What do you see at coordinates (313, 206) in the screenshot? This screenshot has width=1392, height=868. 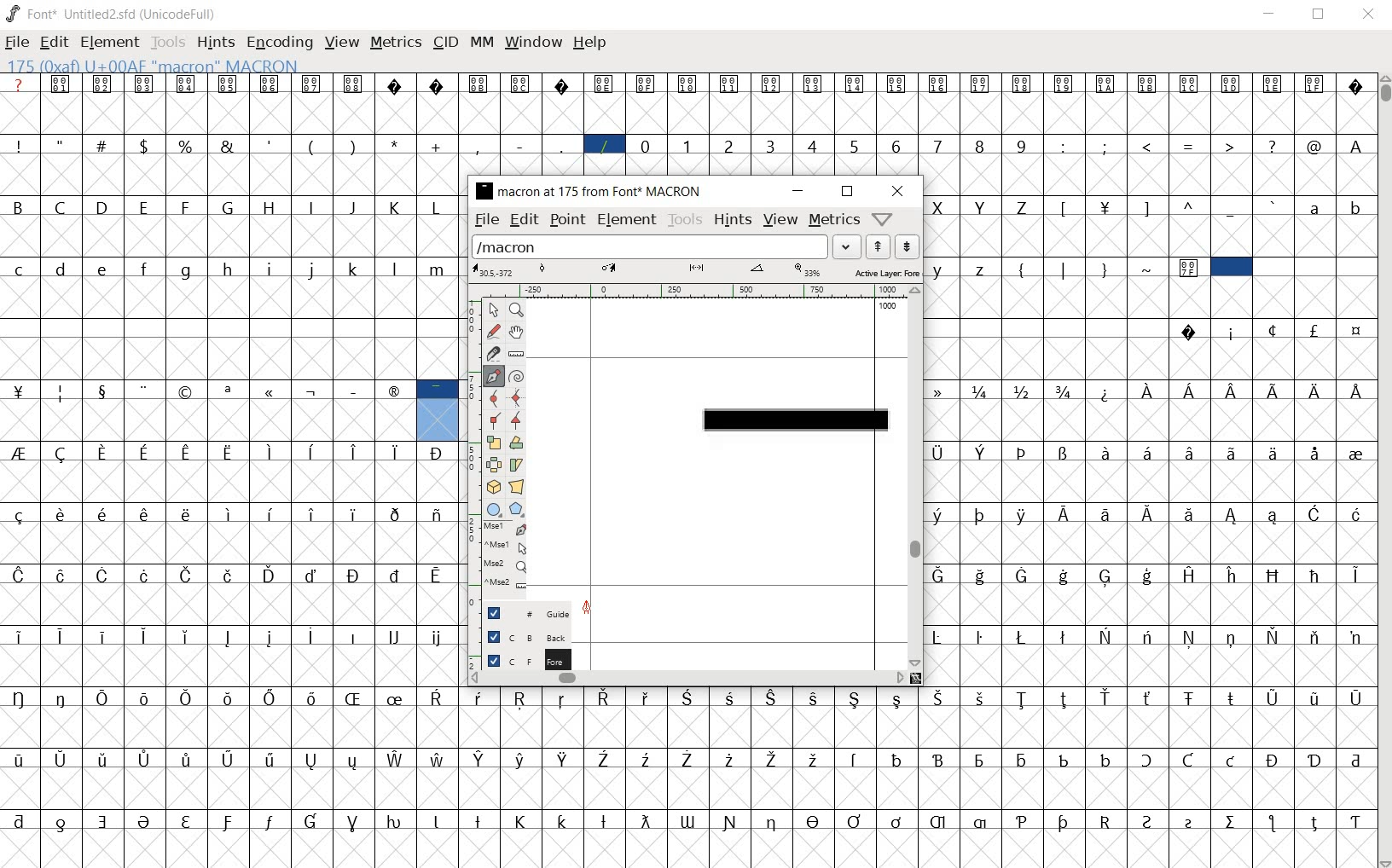 I see `I` at bounding box center [313, 206].